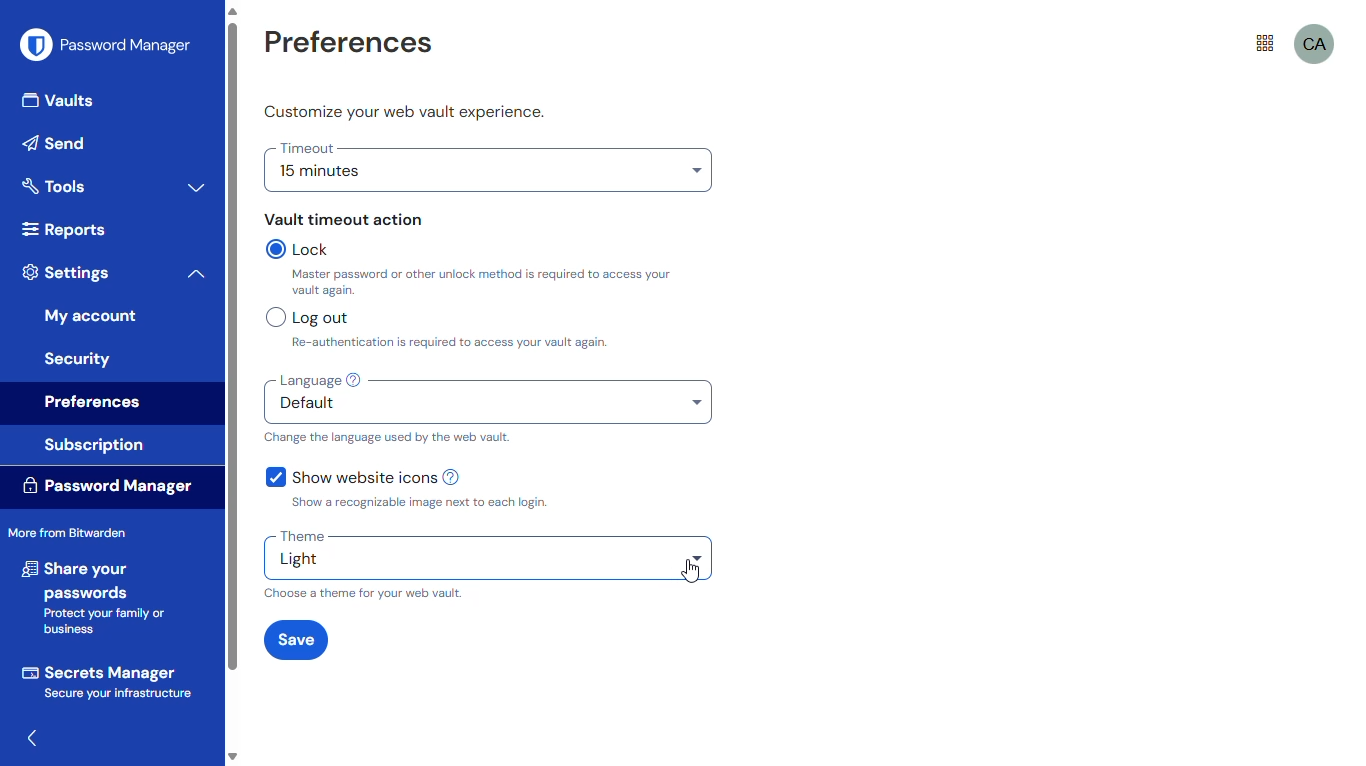  What do you see at coordinates (354, 380) in the screenshot?
I see `learn more about localization` at bounding box center [354, 380].